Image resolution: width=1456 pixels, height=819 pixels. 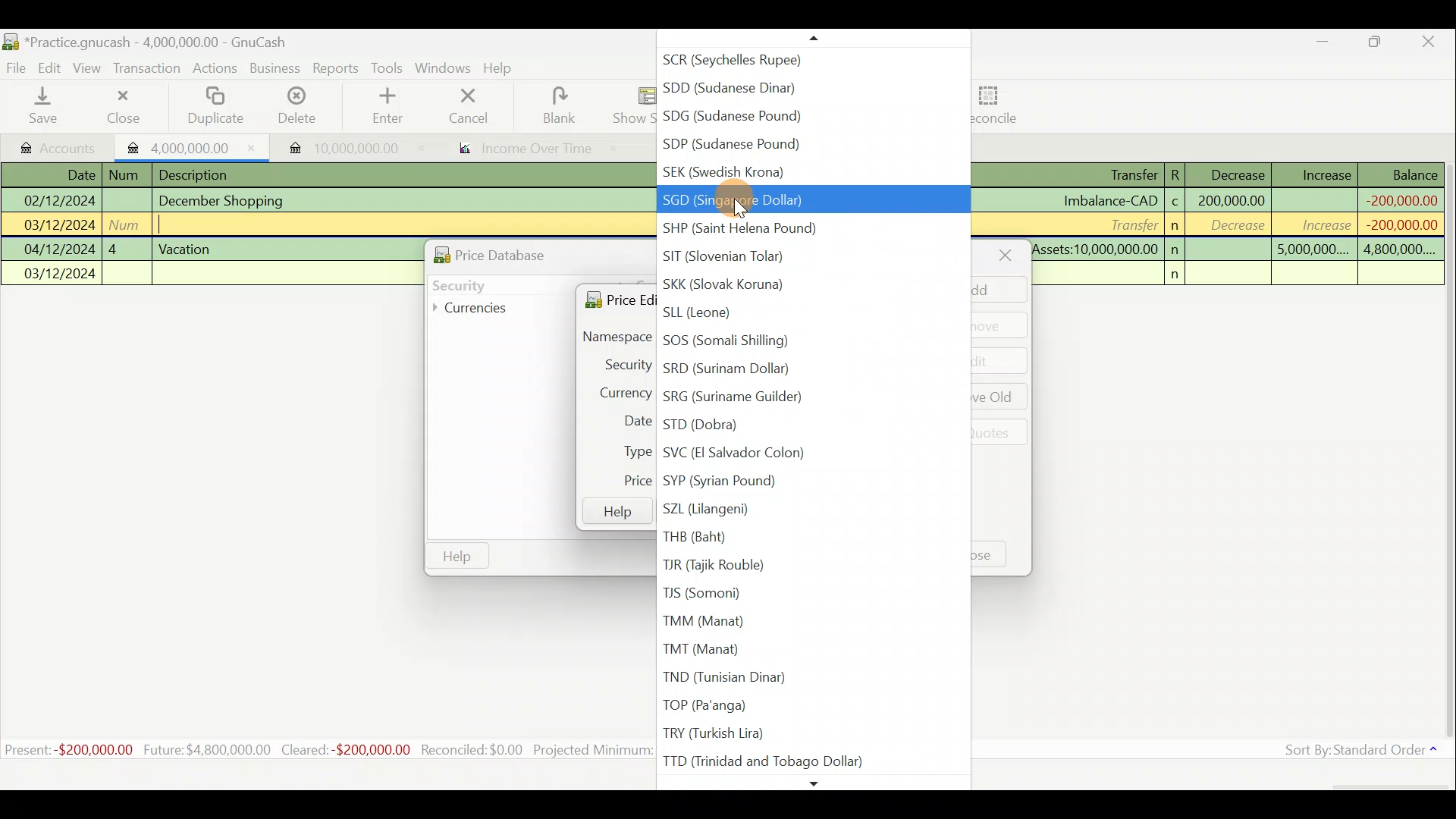 What do you see at coordinates (17, 65) in the screenshot?
I see `File` at bounding box center [17, 65].